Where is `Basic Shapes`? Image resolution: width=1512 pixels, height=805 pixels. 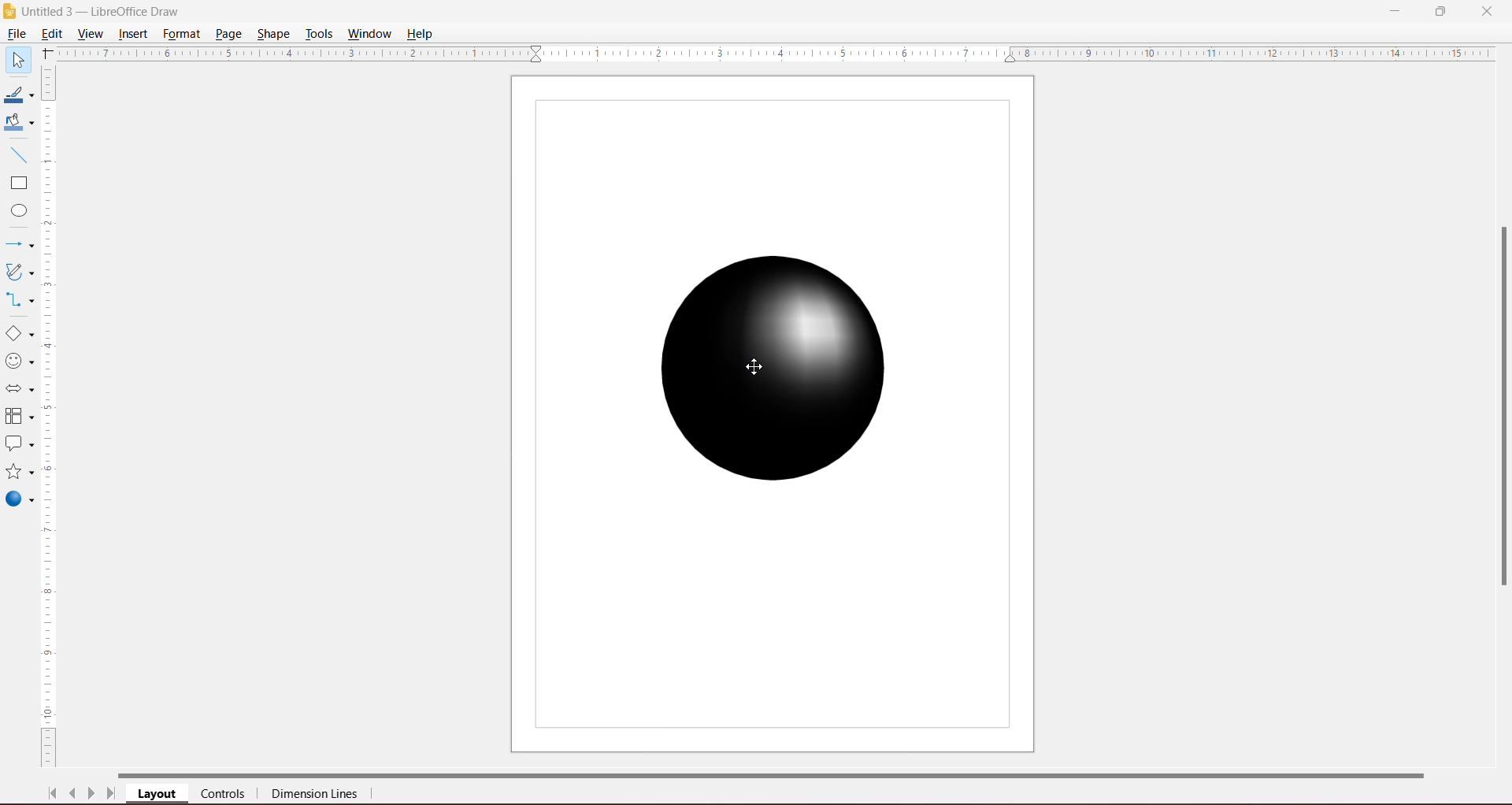
Basic Shapes is located at coordinates (19, 334).